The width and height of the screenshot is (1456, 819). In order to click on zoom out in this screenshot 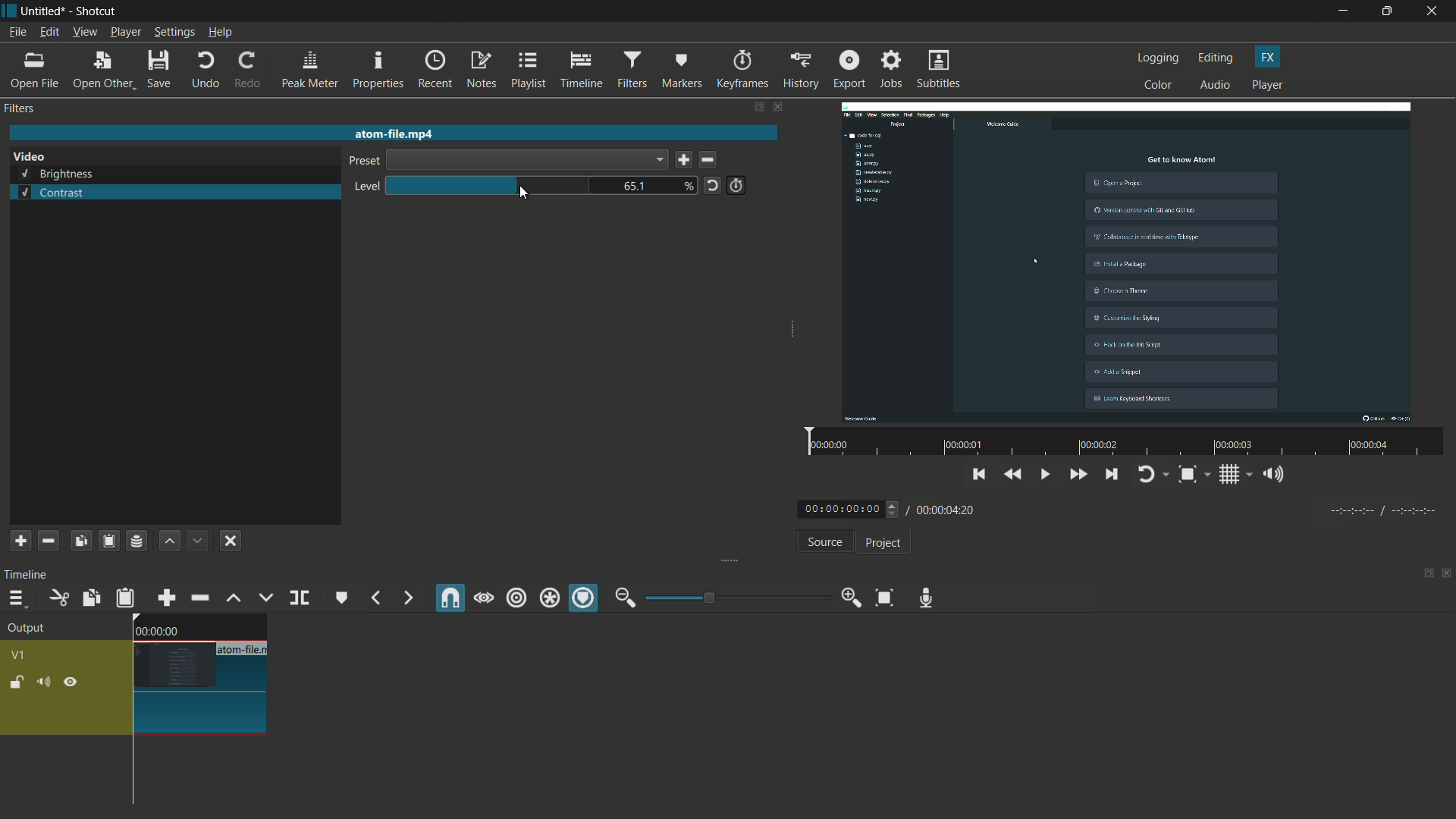, I will do `click(625, 598)`.